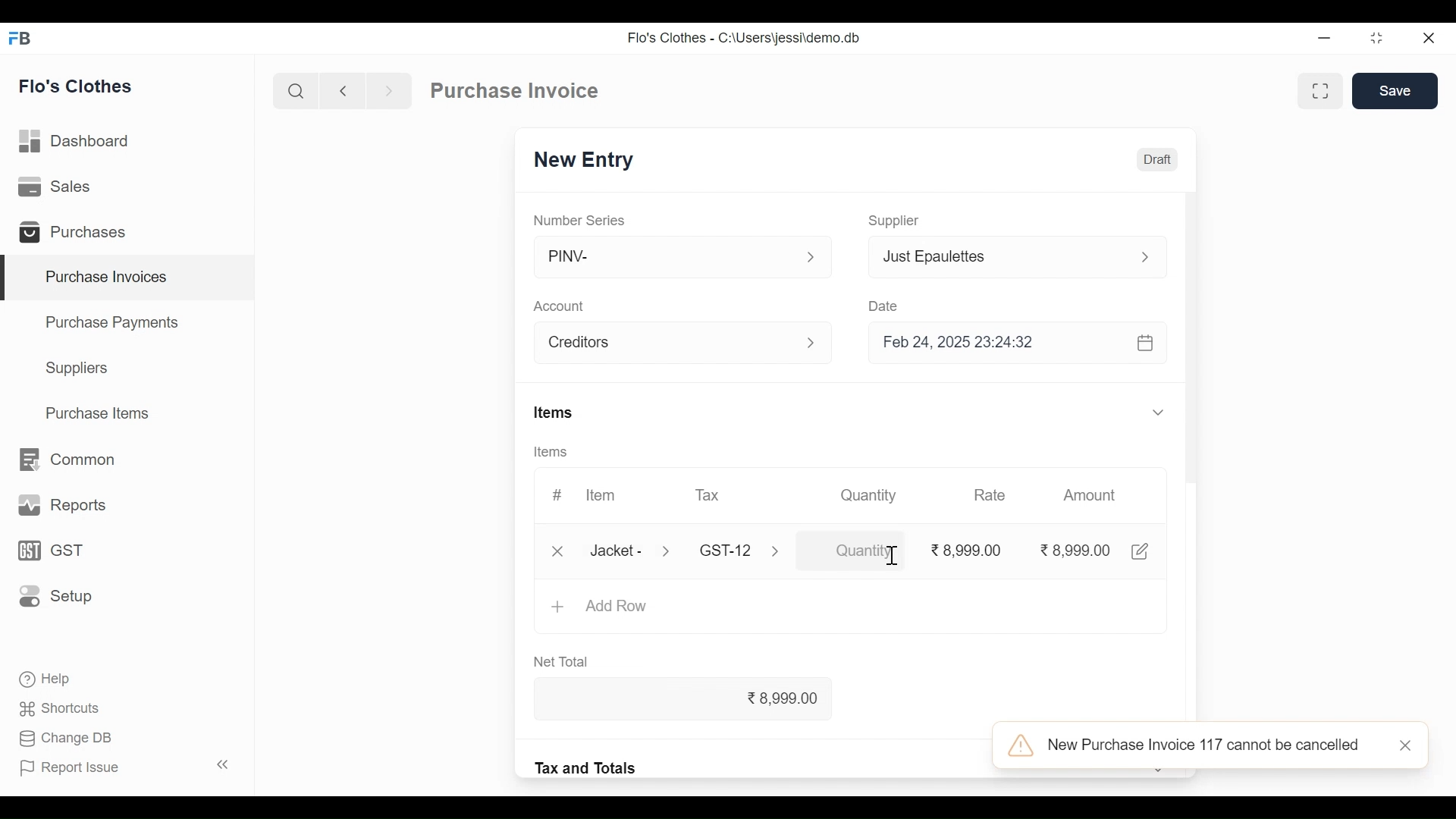 The height and width of the screenshot is (819, 1456). What do you see at coordinates (566, 663) in the screenshot?
I see `Net Total` at bounding box center [566, 663].